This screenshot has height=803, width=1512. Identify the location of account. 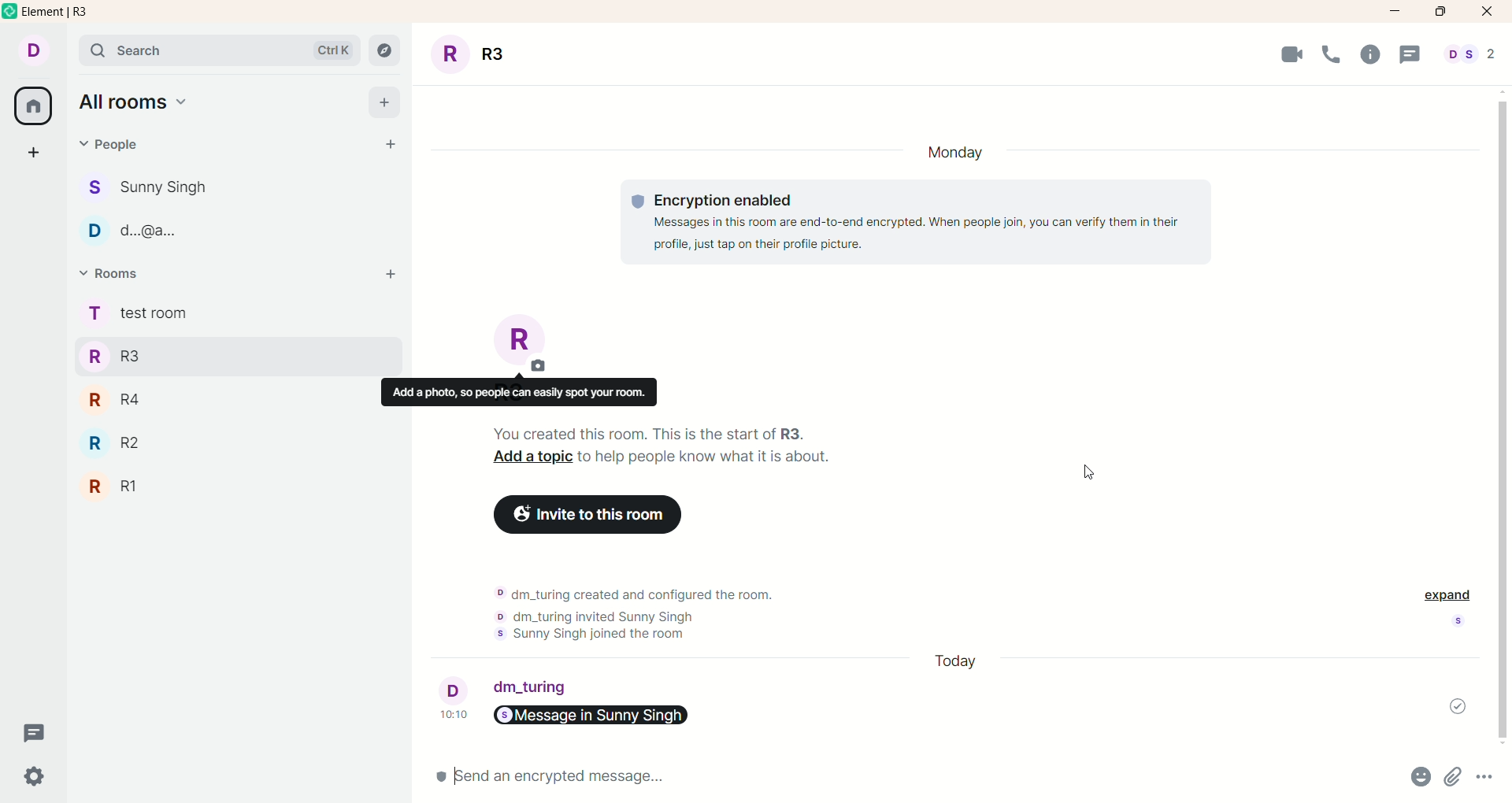
(499, 685).